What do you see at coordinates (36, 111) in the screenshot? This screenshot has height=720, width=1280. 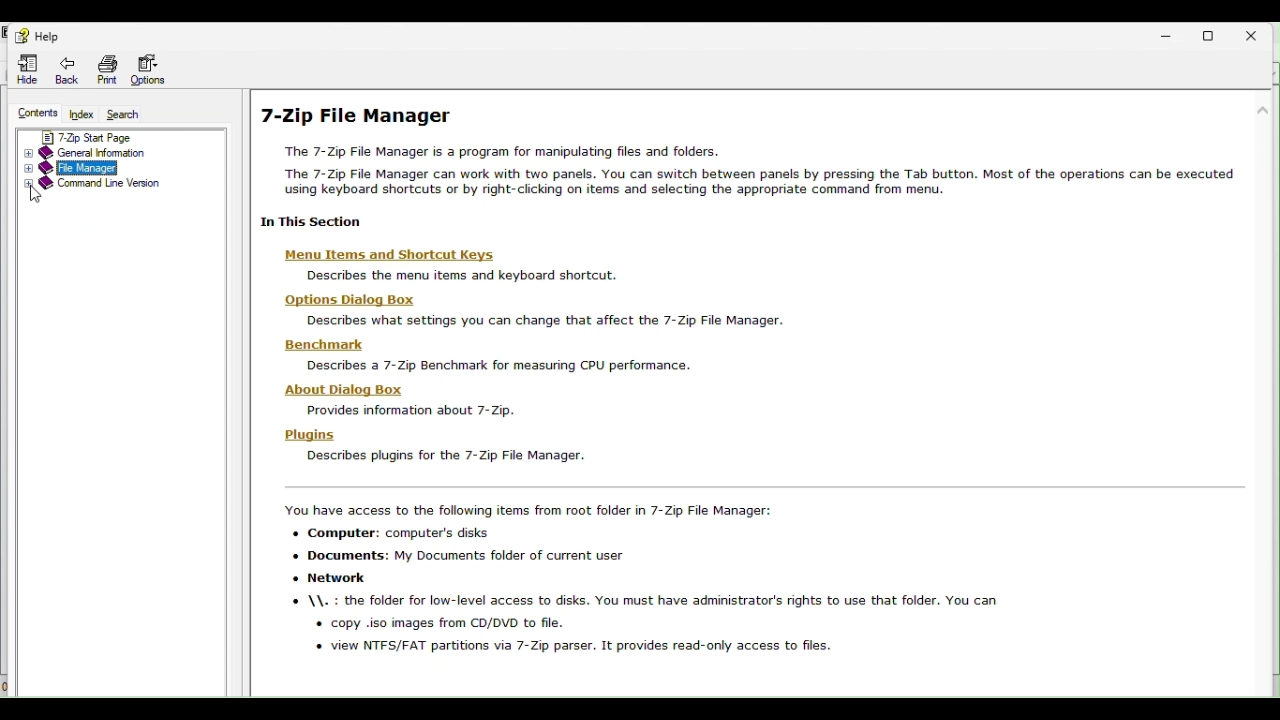 I see `content` at bounding box center [36, 111].